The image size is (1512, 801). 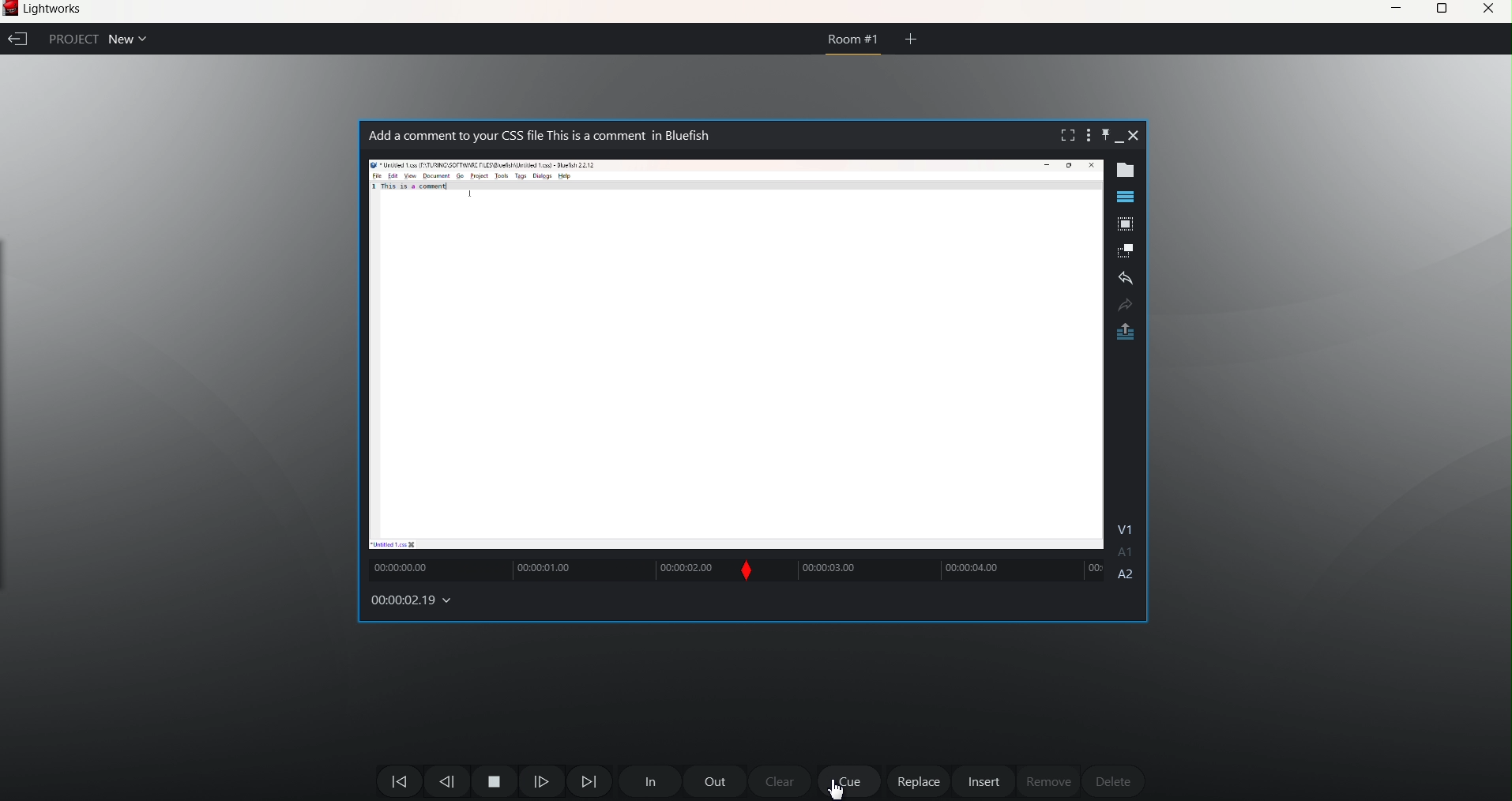 I want to click on remove, so click(x=1048, y=781).